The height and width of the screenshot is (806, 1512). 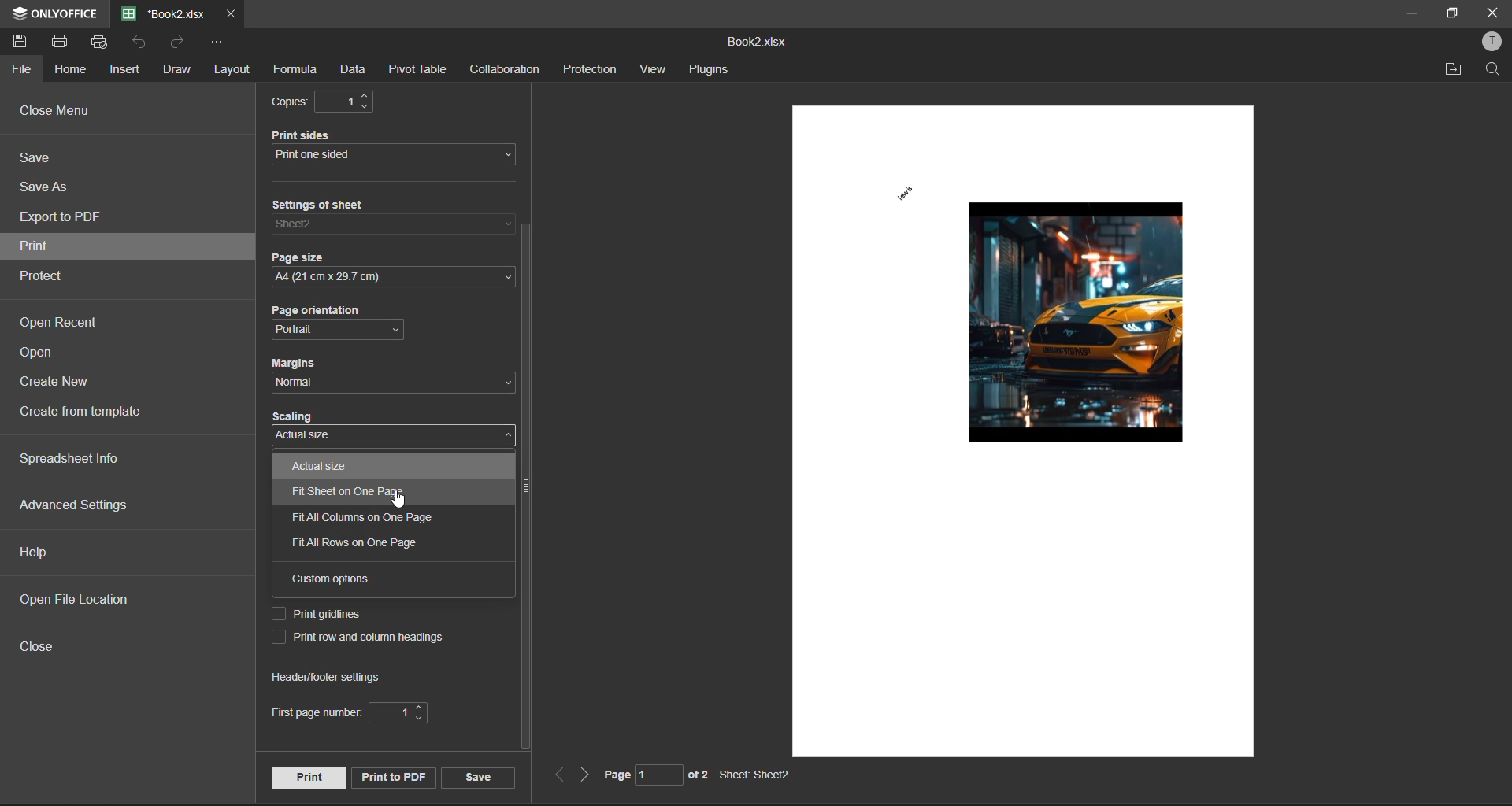 I want to click on spreadsheet info, so click(x=86, y=459).